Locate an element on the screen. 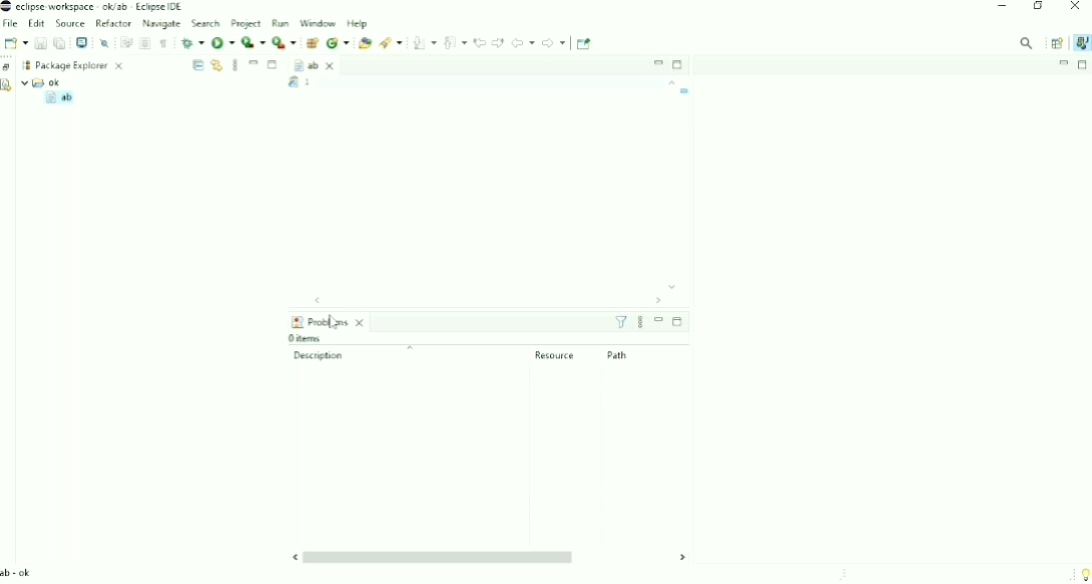  Minimize is located at coordinates (657, 62).